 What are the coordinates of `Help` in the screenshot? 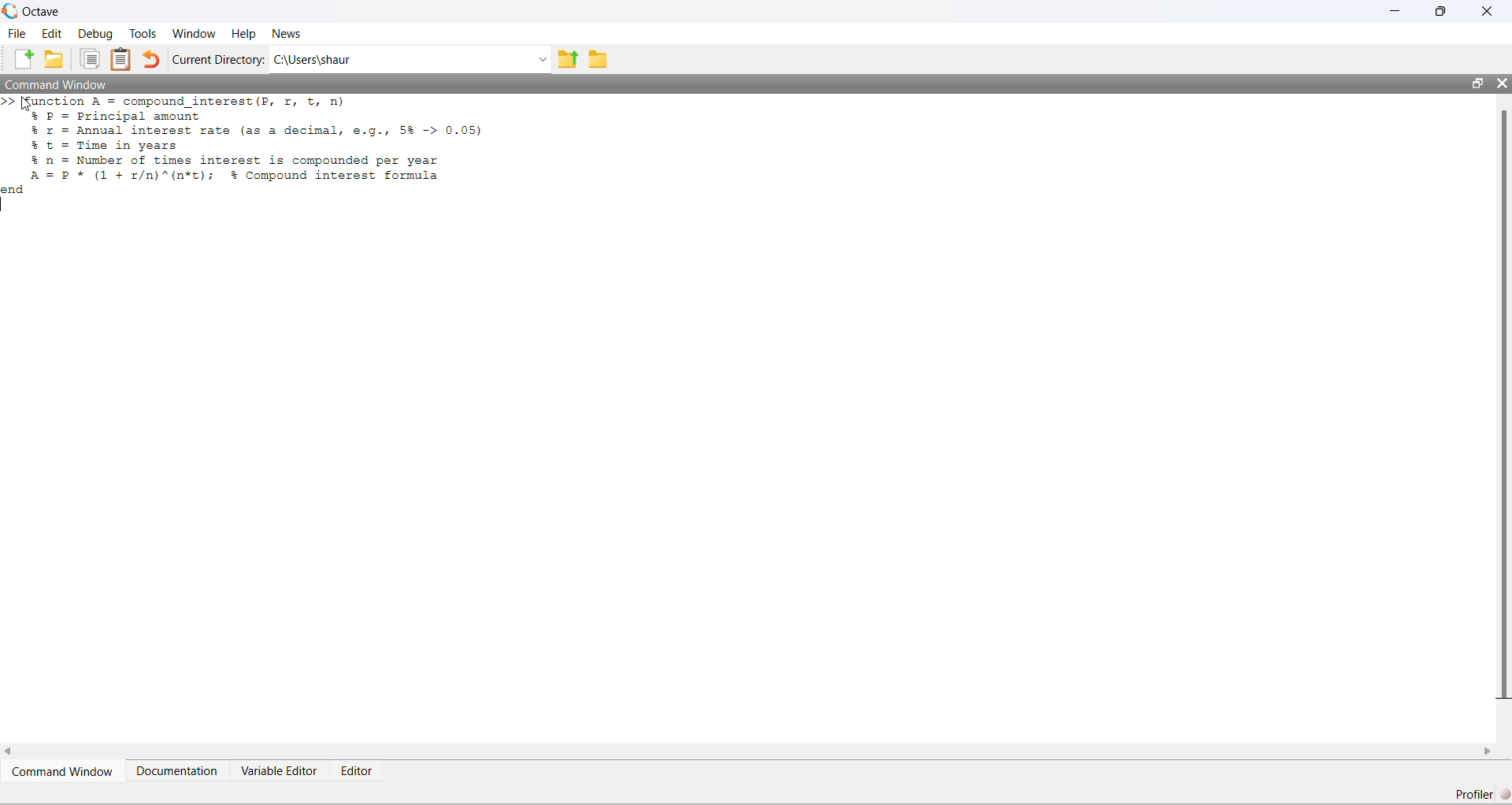 It's located at (243, 34).